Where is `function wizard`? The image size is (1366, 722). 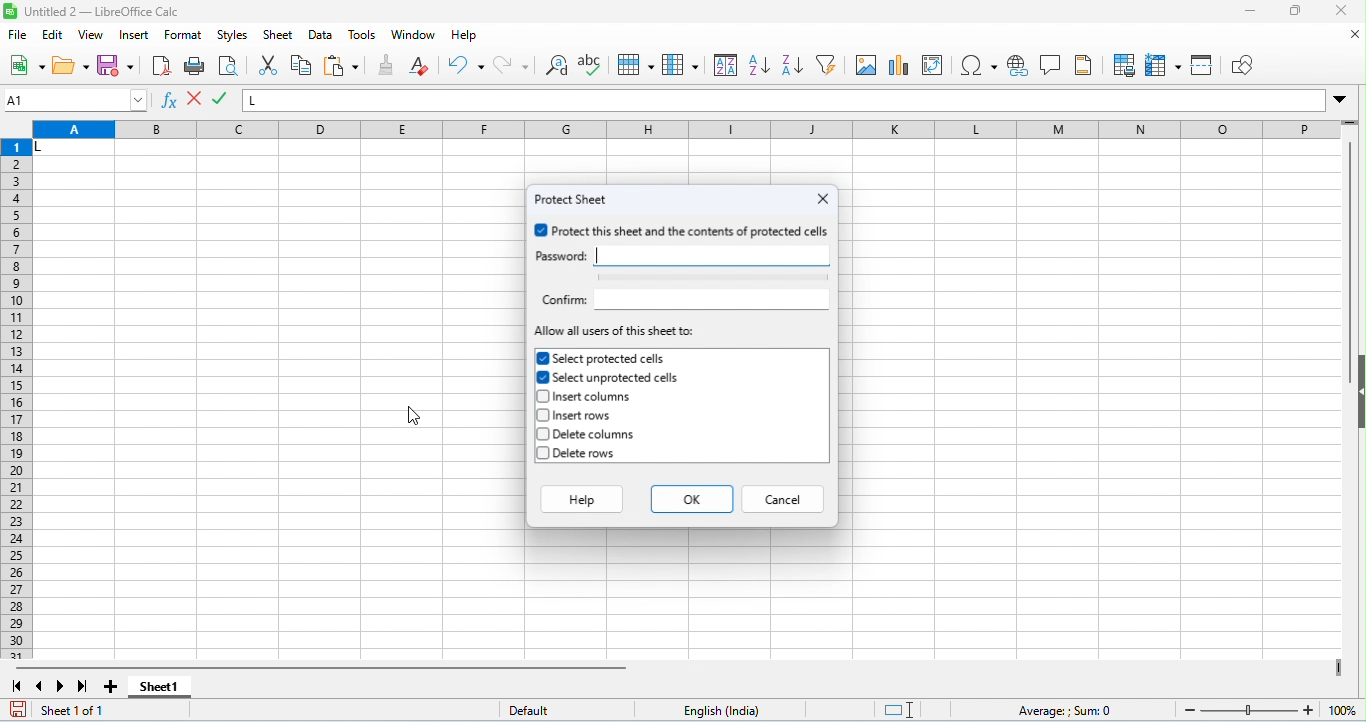 function wizard is located at coordinates (171, 102).